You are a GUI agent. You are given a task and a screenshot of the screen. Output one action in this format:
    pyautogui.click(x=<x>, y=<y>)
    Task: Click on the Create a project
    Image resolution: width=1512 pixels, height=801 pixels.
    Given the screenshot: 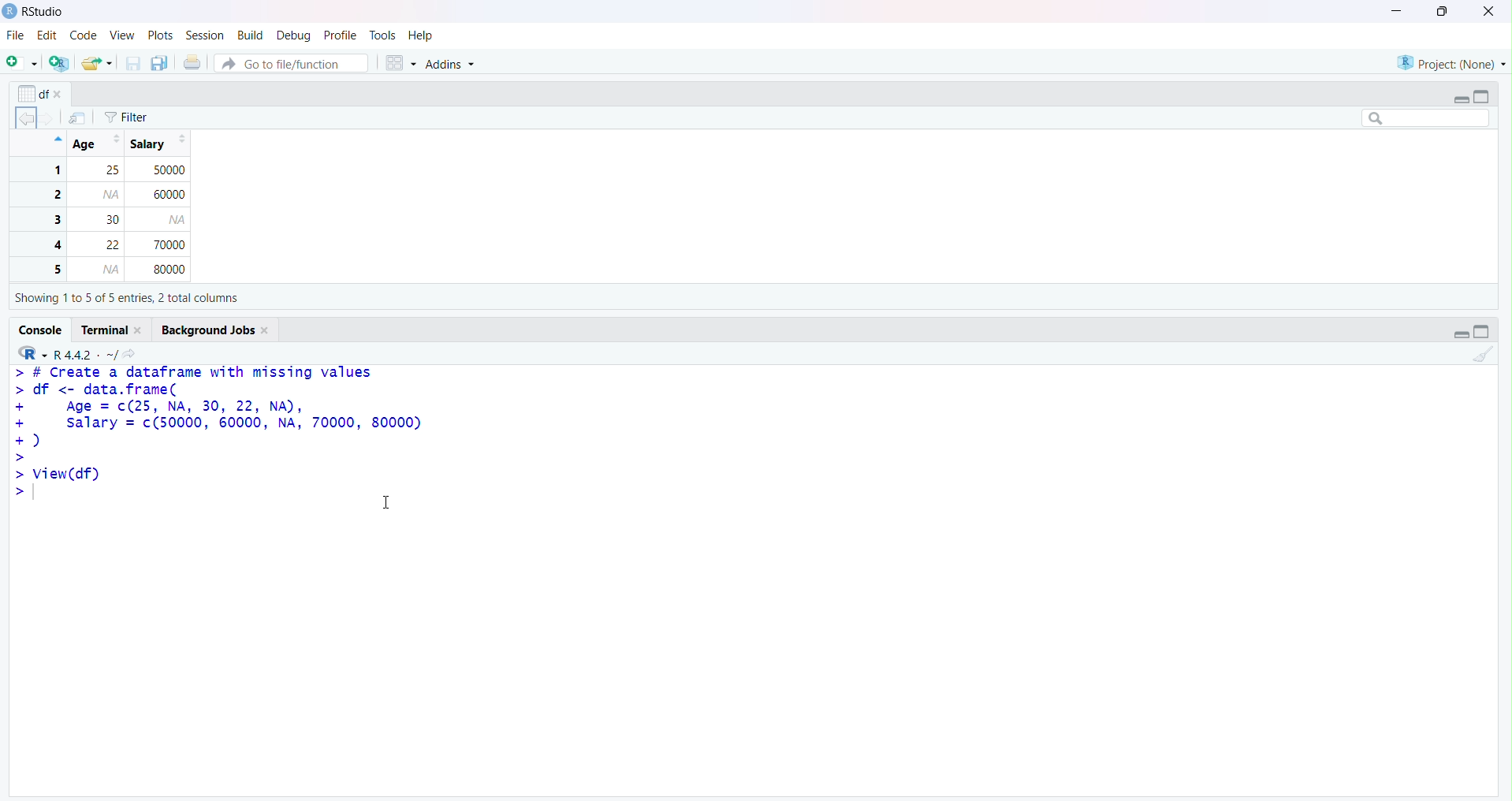 What is the action you would take?
    pyautogui.click(x=60, y=61)
    